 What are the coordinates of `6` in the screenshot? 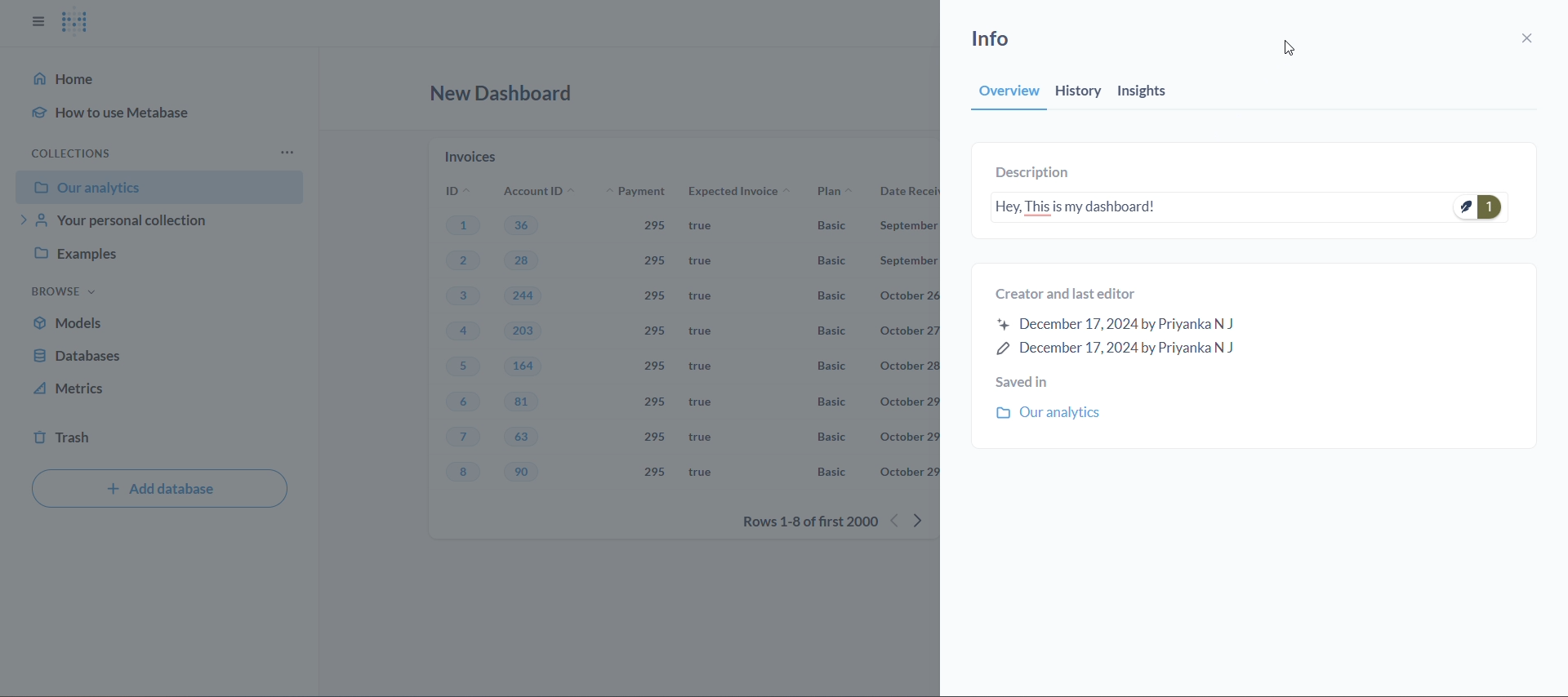 It's located at (462, 403).